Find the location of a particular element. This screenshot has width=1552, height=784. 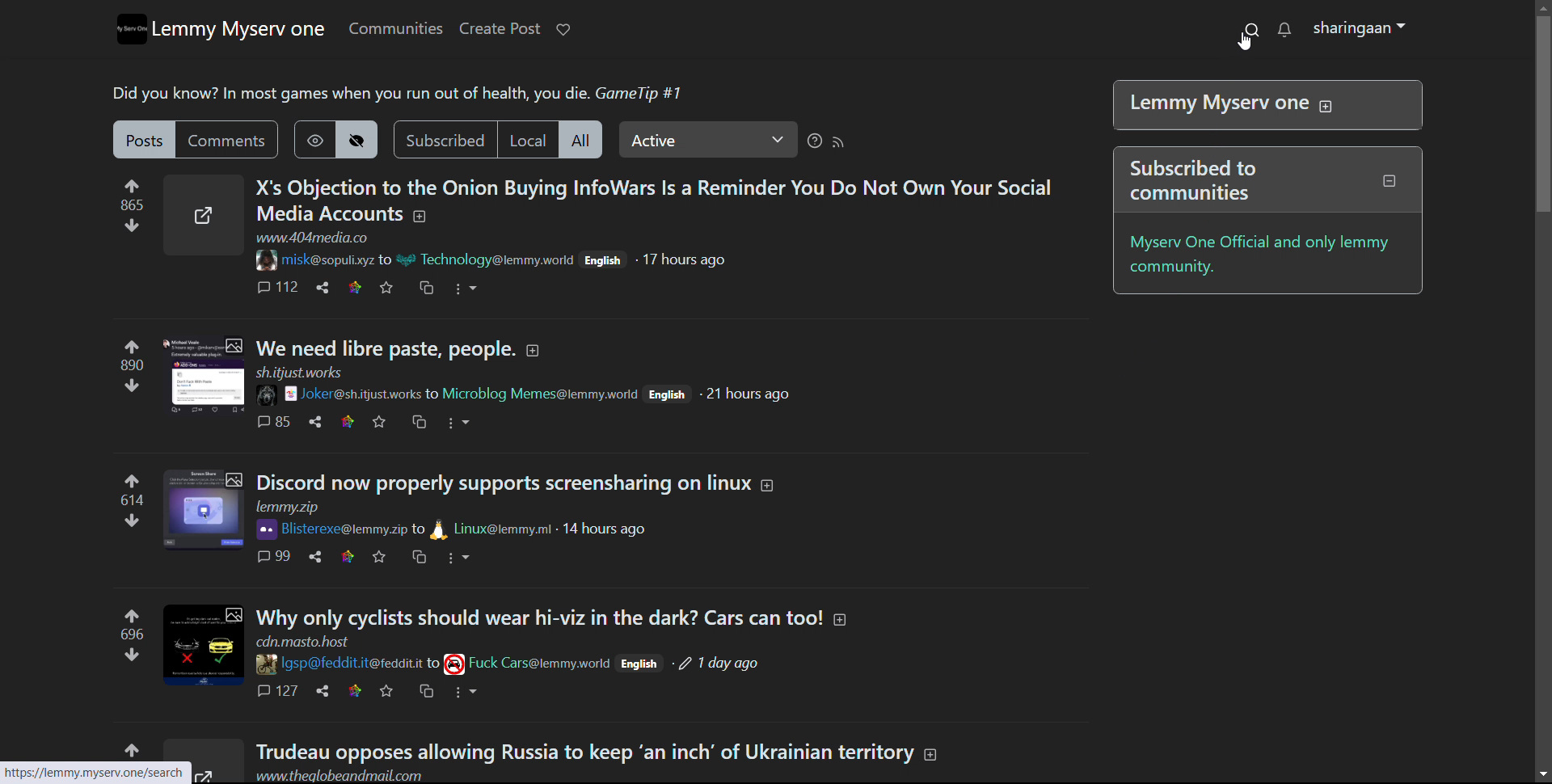

more is located at coordinates (460, 558).